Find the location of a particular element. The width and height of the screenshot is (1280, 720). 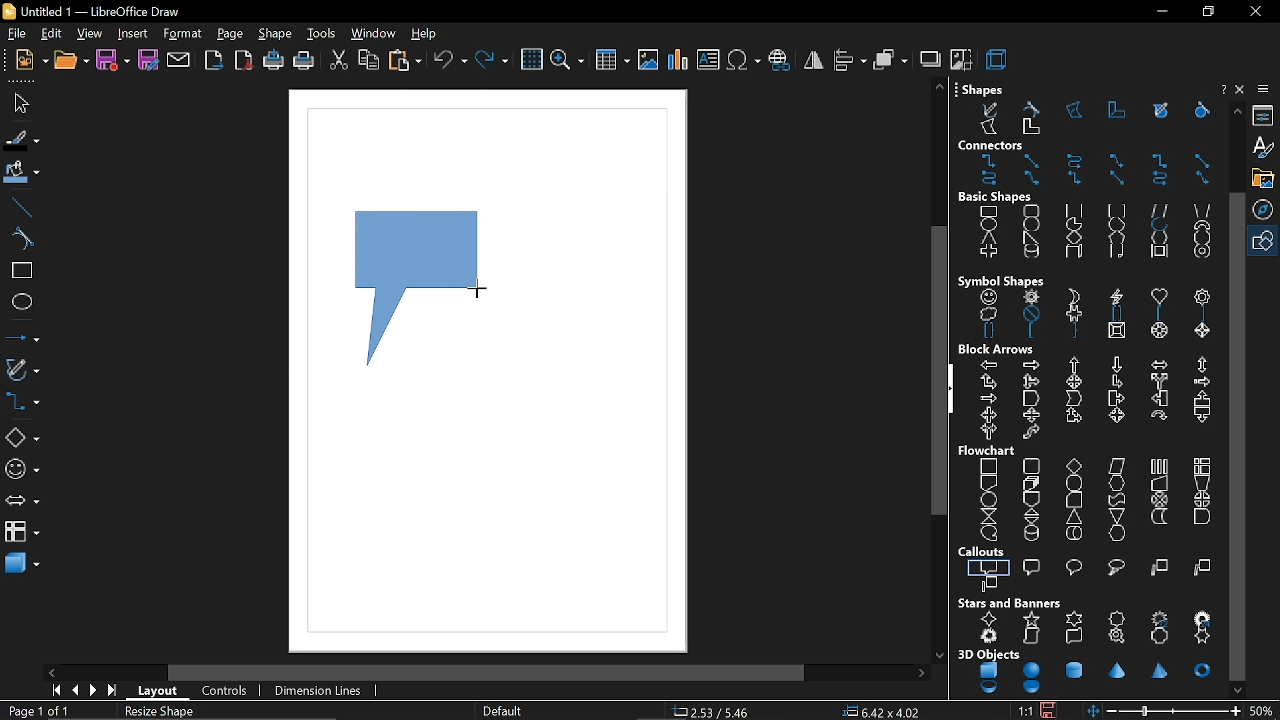

tools is located at coordinates (324, 35).